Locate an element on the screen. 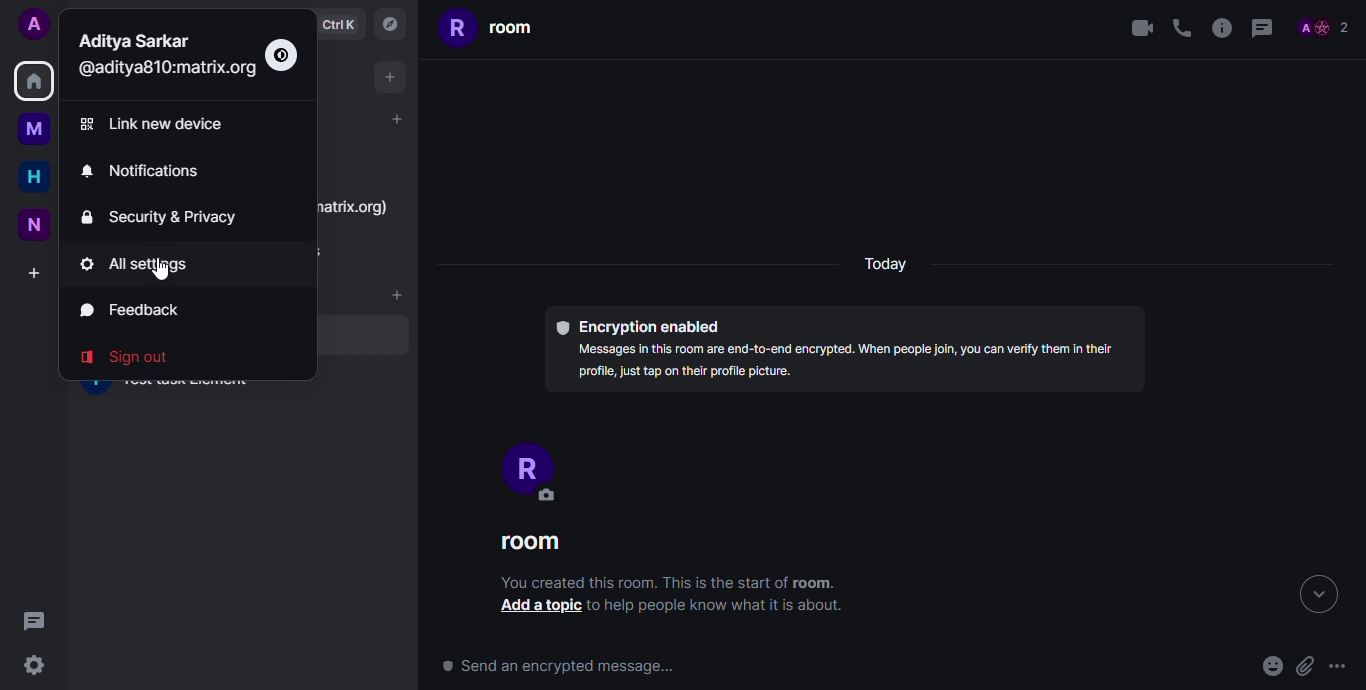  room is located at coordinates (489, 27).